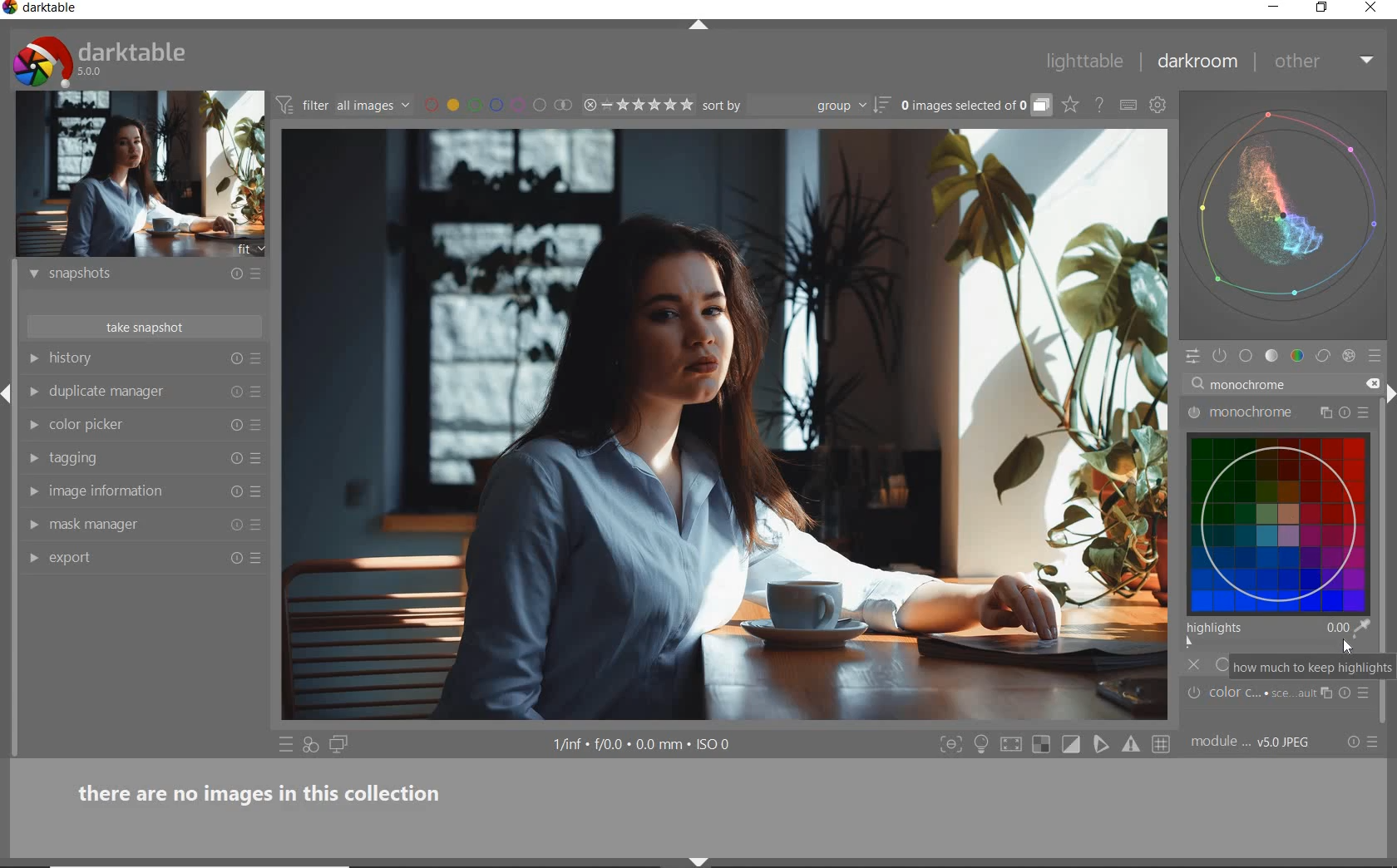 The width and height of the screenshot is (1397, 868). What do you see at coordinates (795, 106) in the screenshot?
I see `sort` at bounding box center [795, 106].